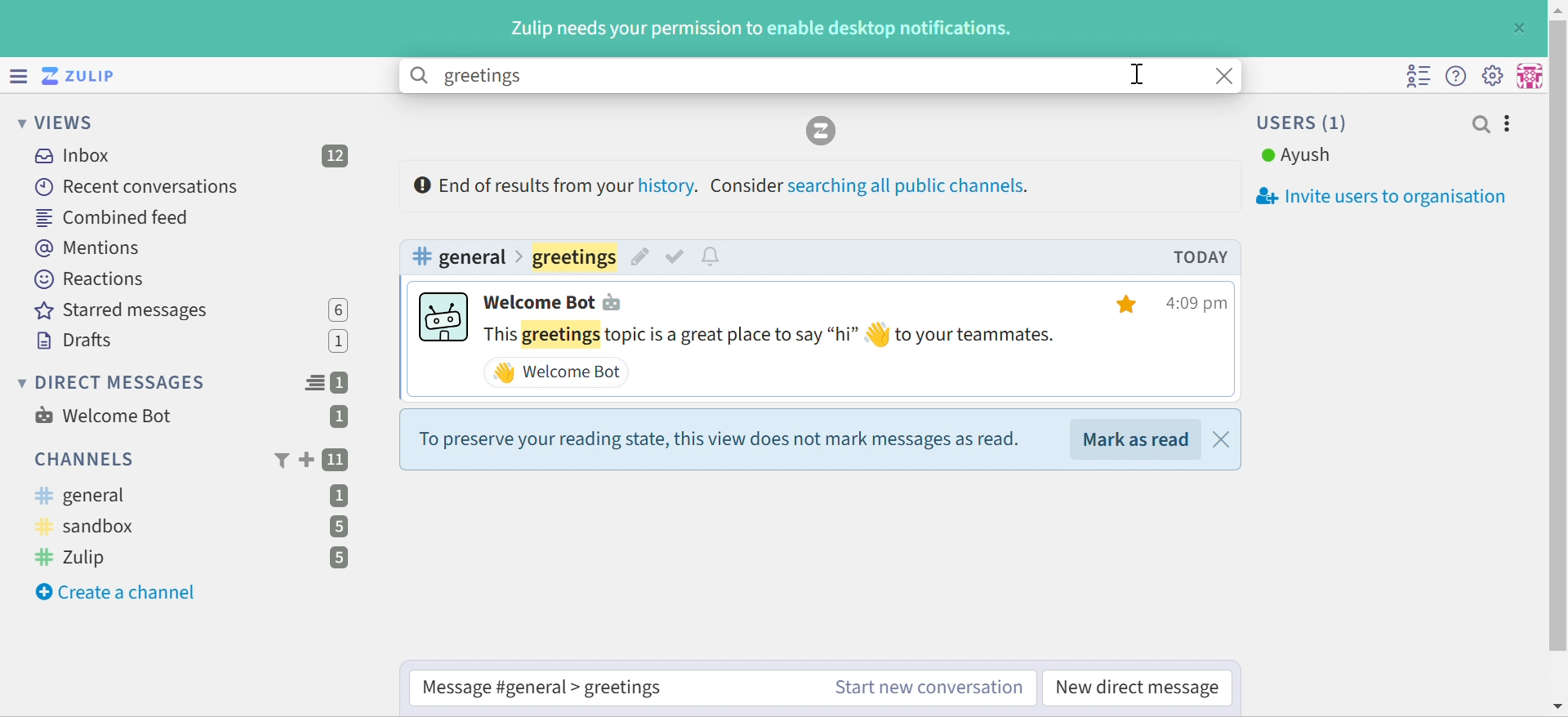  What do you see at coordinates (1557, 10) in the screenshot?
I see `Scroll up` at bounding box center [1557, 10].